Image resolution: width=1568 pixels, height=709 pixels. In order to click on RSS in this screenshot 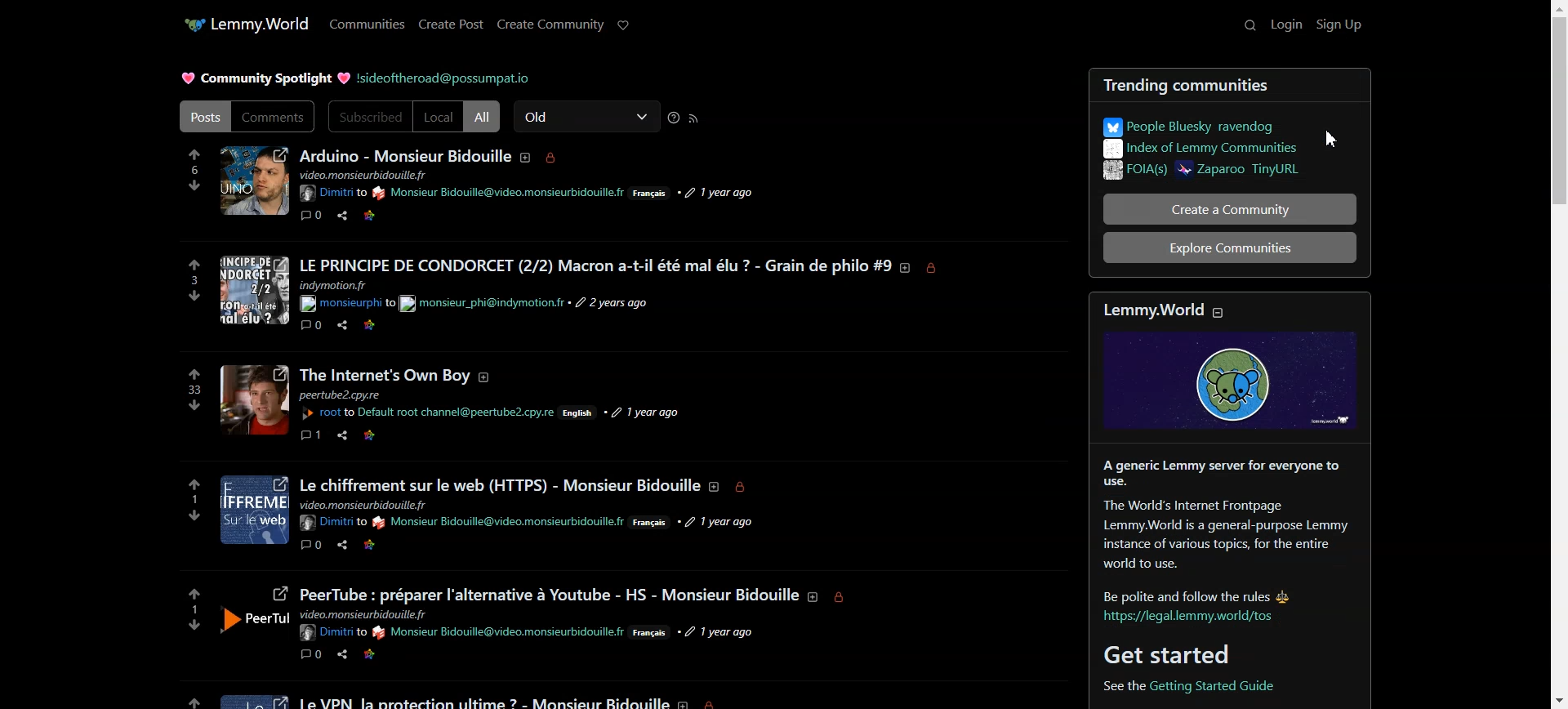, I will do `click(694, 118)`.